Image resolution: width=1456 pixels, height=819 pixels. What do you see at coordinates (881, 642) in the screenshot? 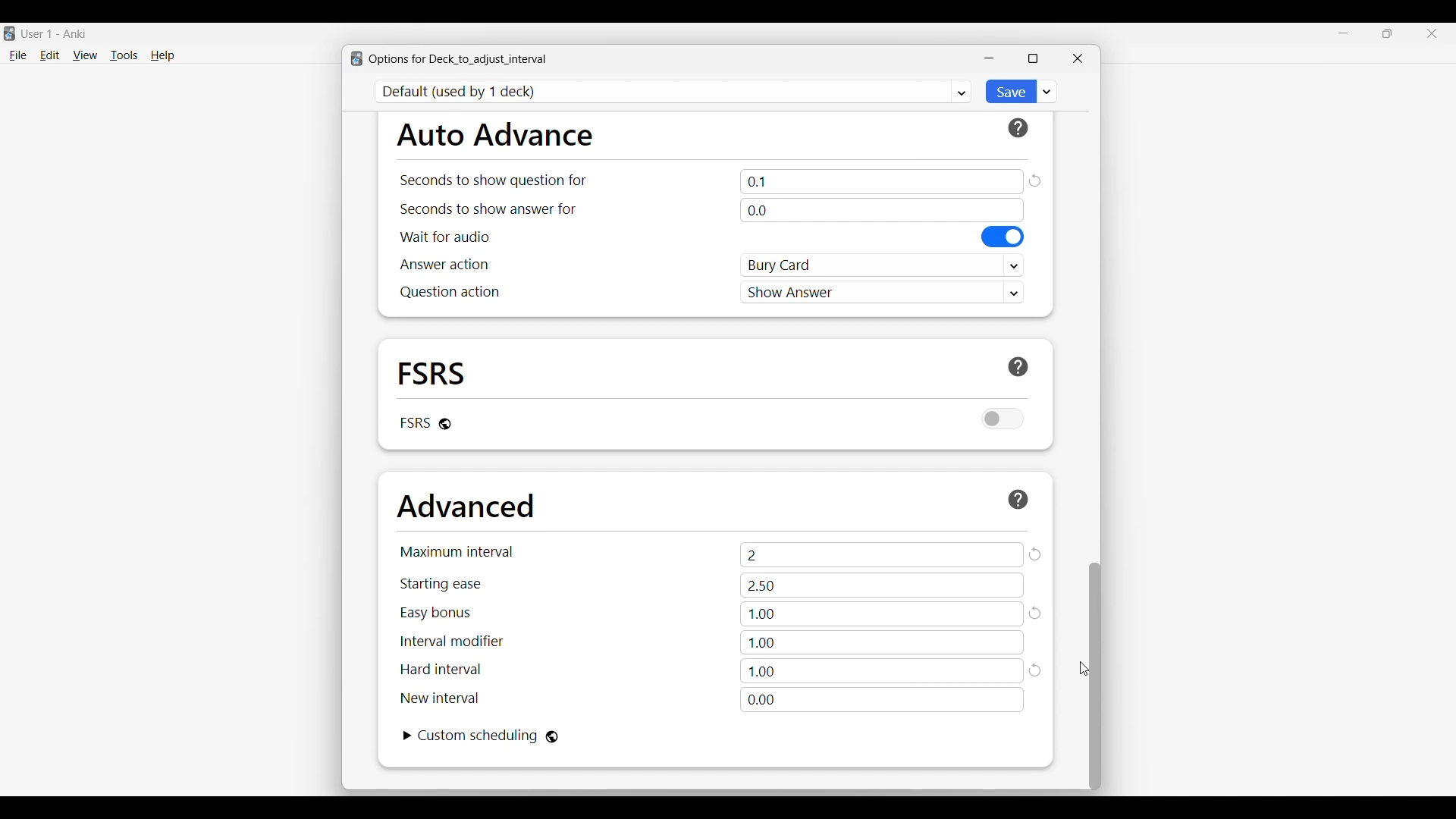
I see `1.00` at bounding box center [881, 642].